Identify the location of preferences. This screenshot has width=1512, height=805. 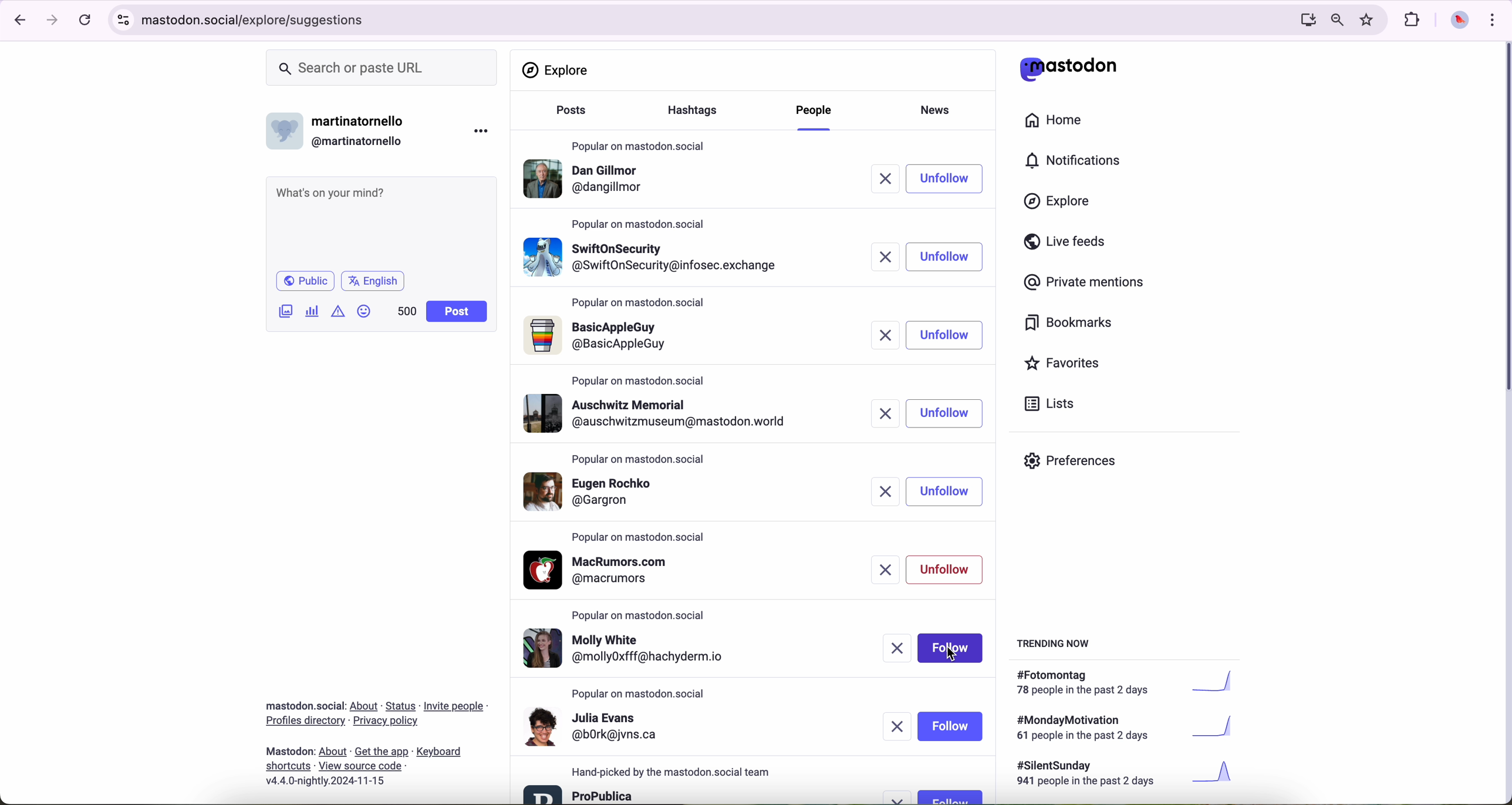
(1079, 465).